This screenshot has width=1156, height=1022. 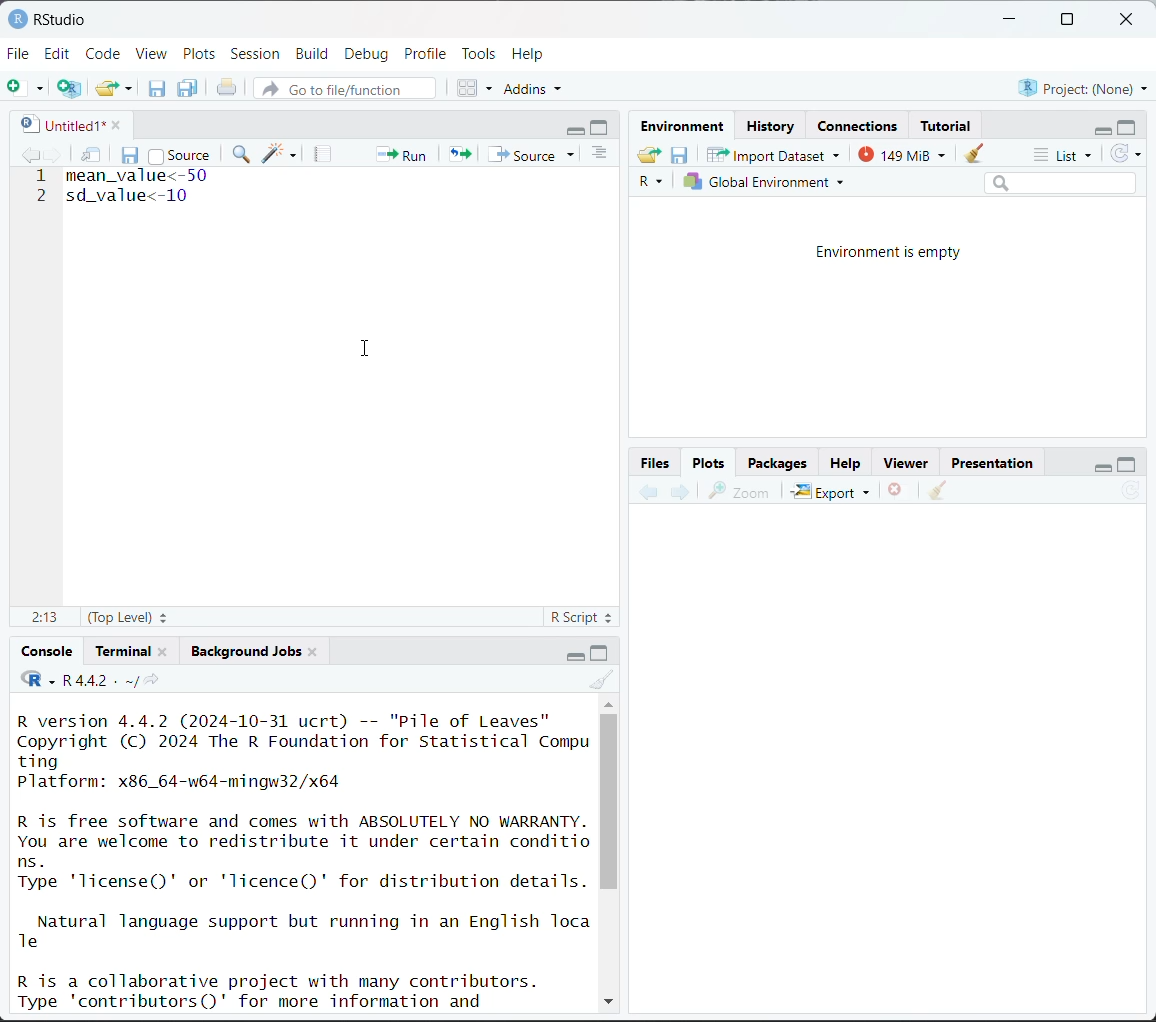 I want to click on clear list, so click(x=131, y=88).